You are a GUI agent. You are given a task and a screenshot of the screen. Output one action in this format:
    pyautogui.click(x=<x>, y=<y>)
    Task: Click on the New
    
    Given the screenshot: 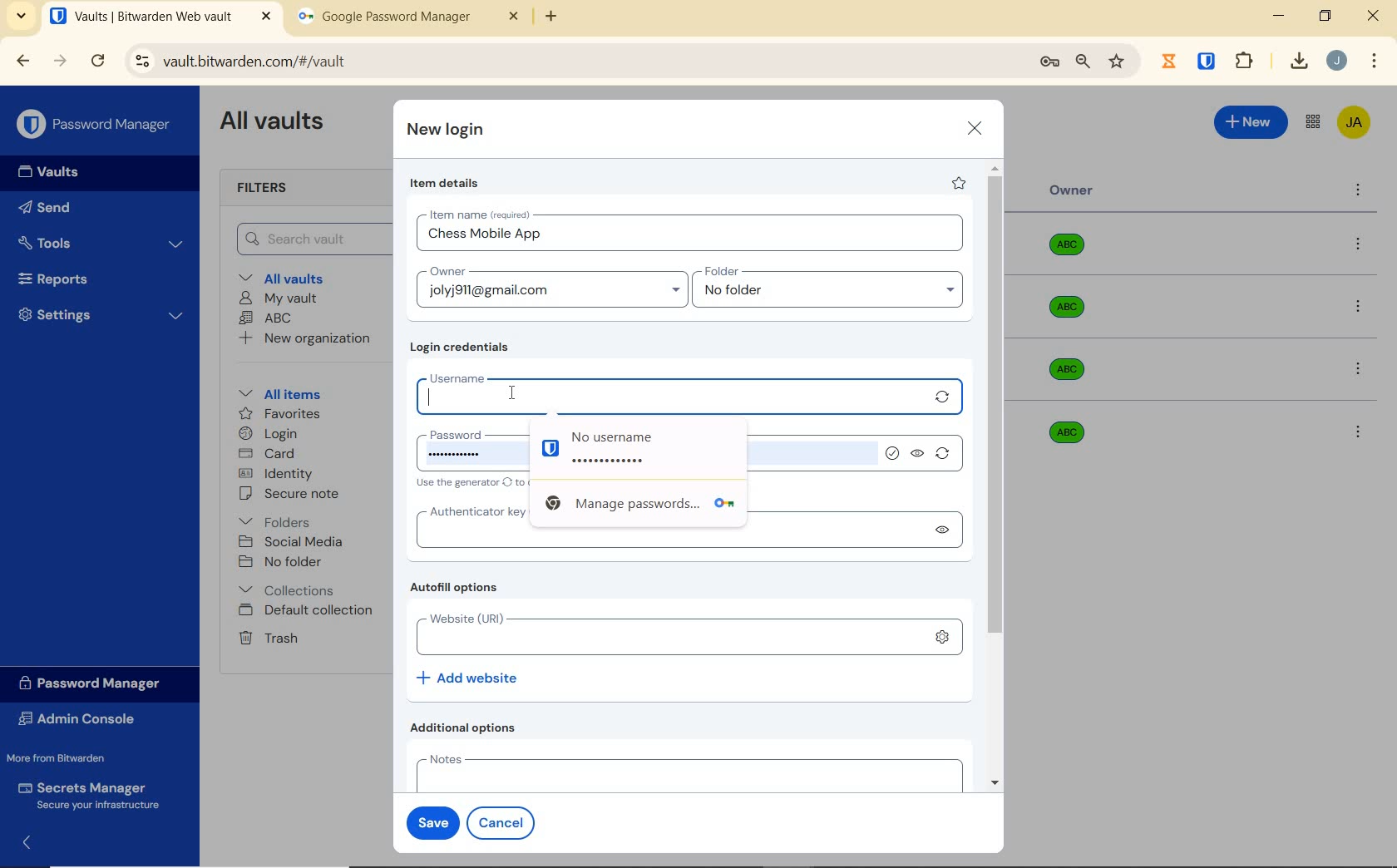 What is the action you would take?
    pyautogui.click(x=1251, y=120)
    